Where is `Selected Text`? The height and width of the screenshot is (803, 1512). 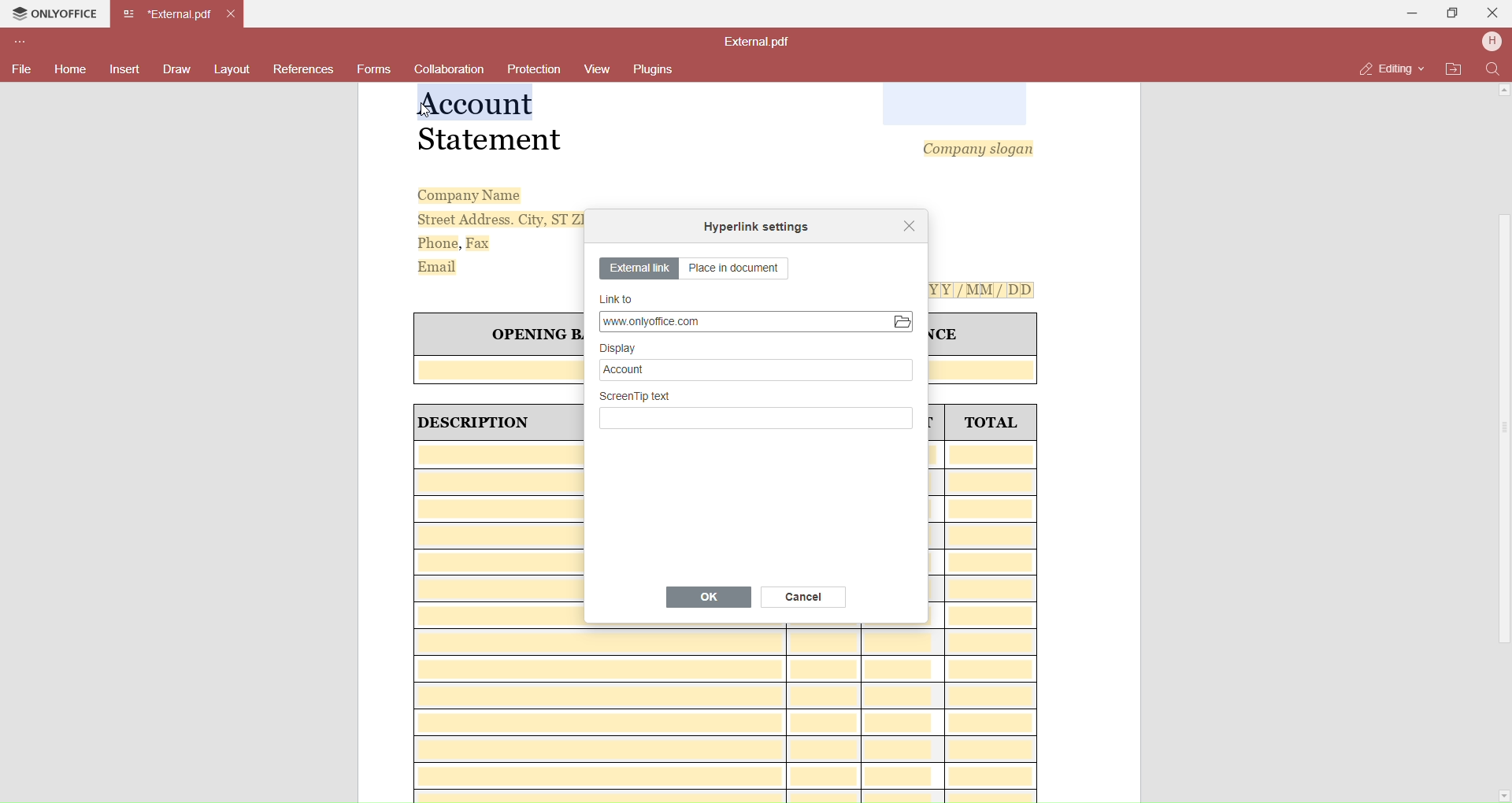 Selected Text is located at coordinates (476, 102).